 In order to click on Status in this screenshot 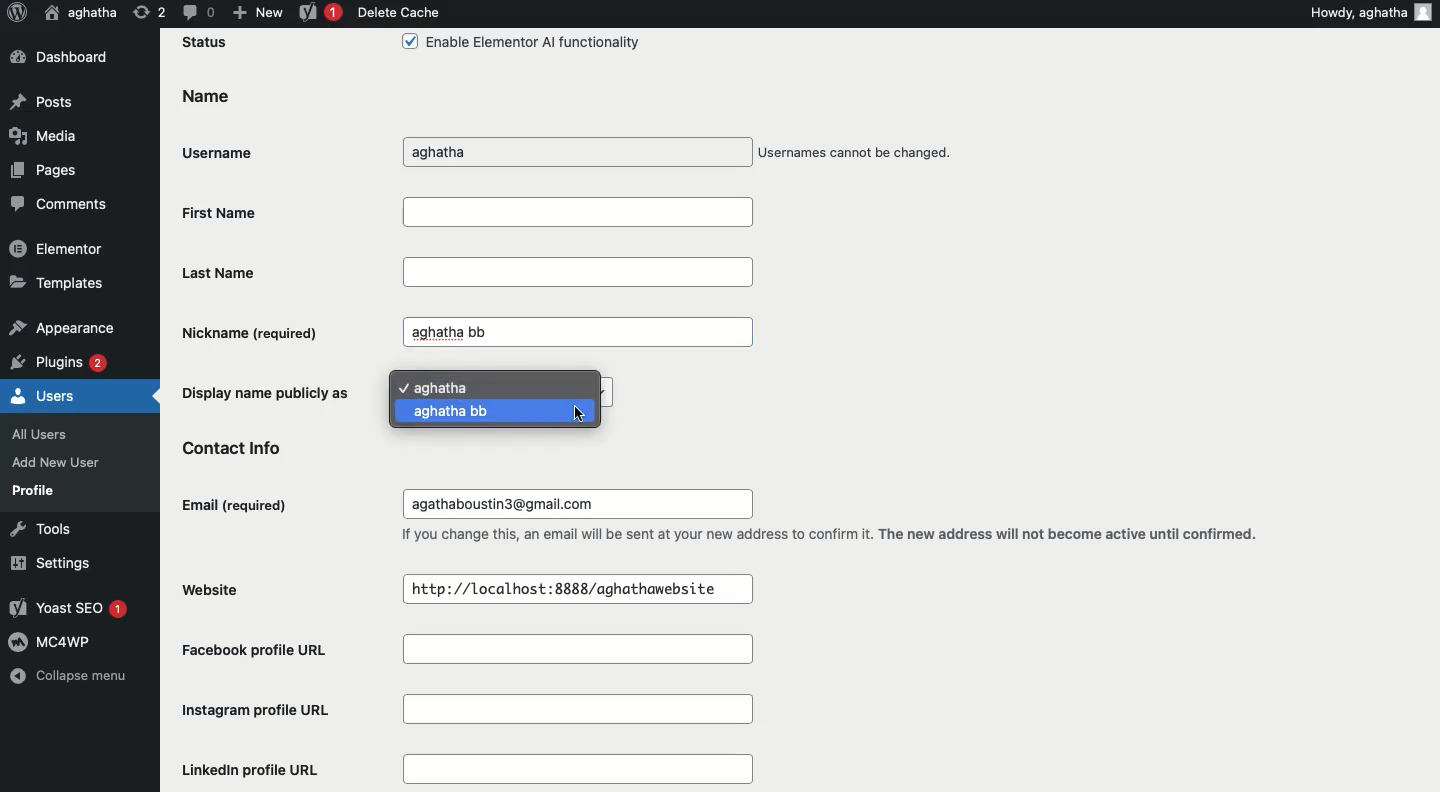, I will do `click(206, 43)`.